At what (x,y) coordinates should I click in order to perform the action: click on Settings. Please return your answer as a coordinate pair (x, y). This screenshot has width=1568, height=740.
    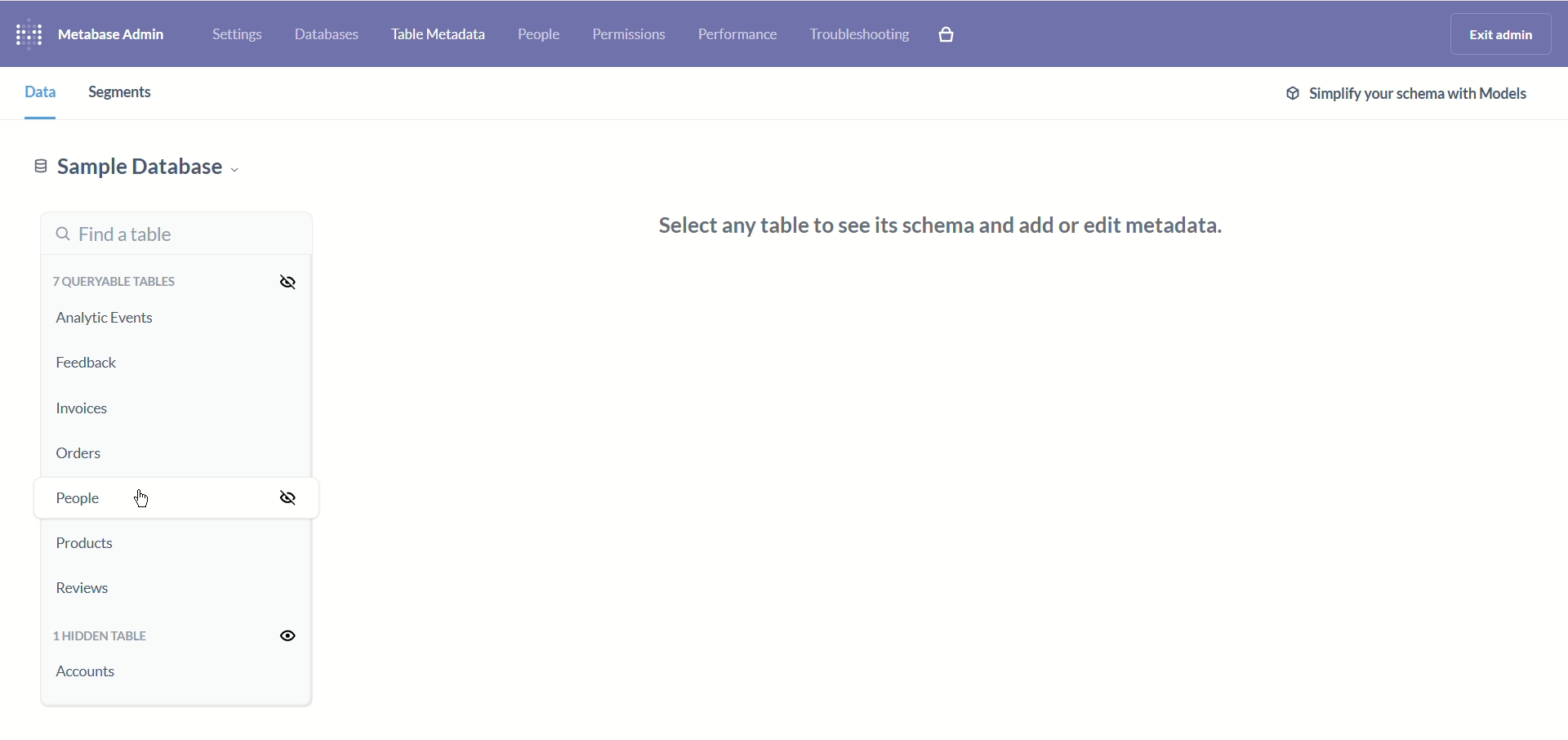
    Looking at the image, I should click on (234, 31).